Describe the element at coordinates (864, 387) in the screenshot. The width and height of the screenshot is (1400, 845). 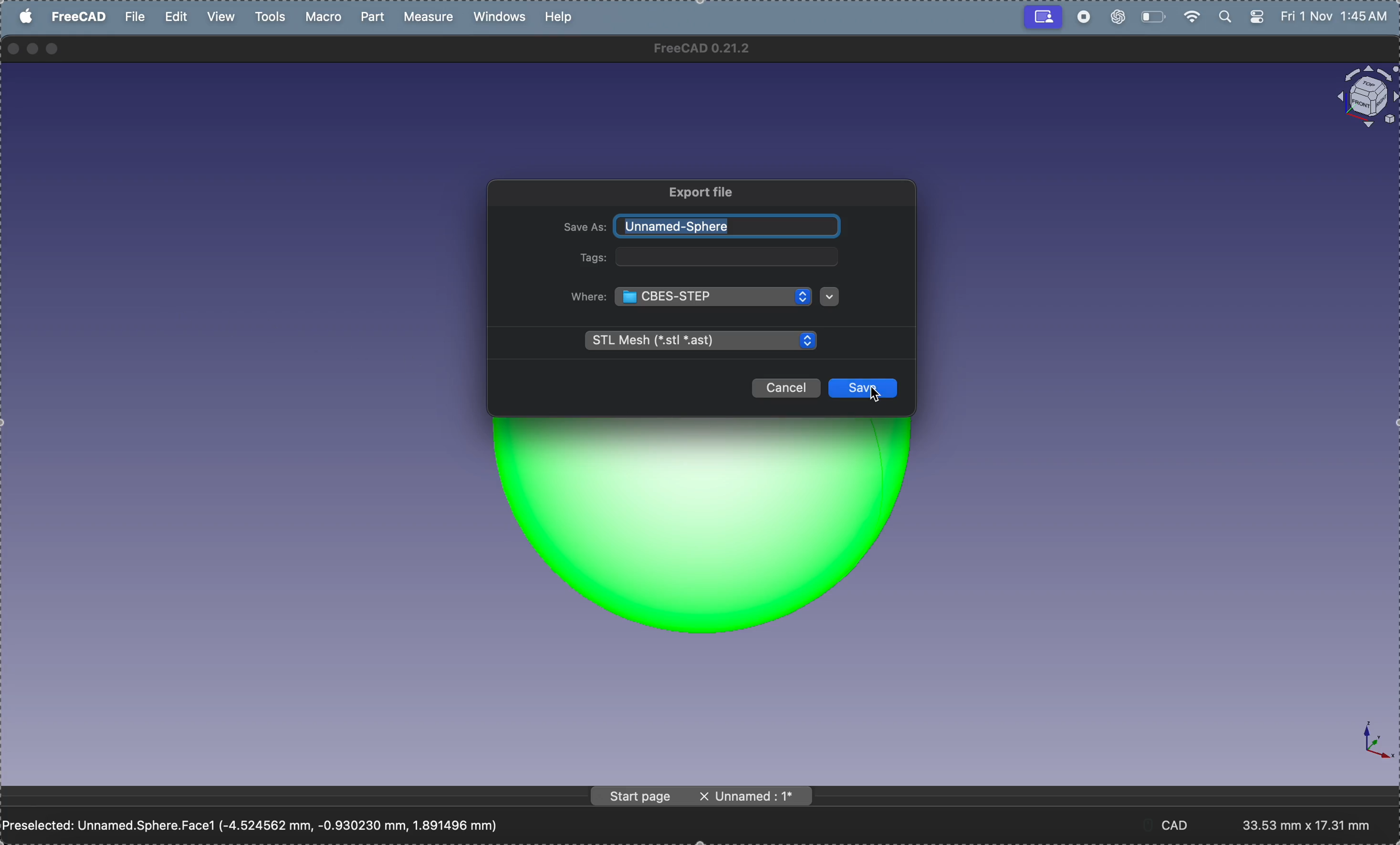
I see `save` at that location.